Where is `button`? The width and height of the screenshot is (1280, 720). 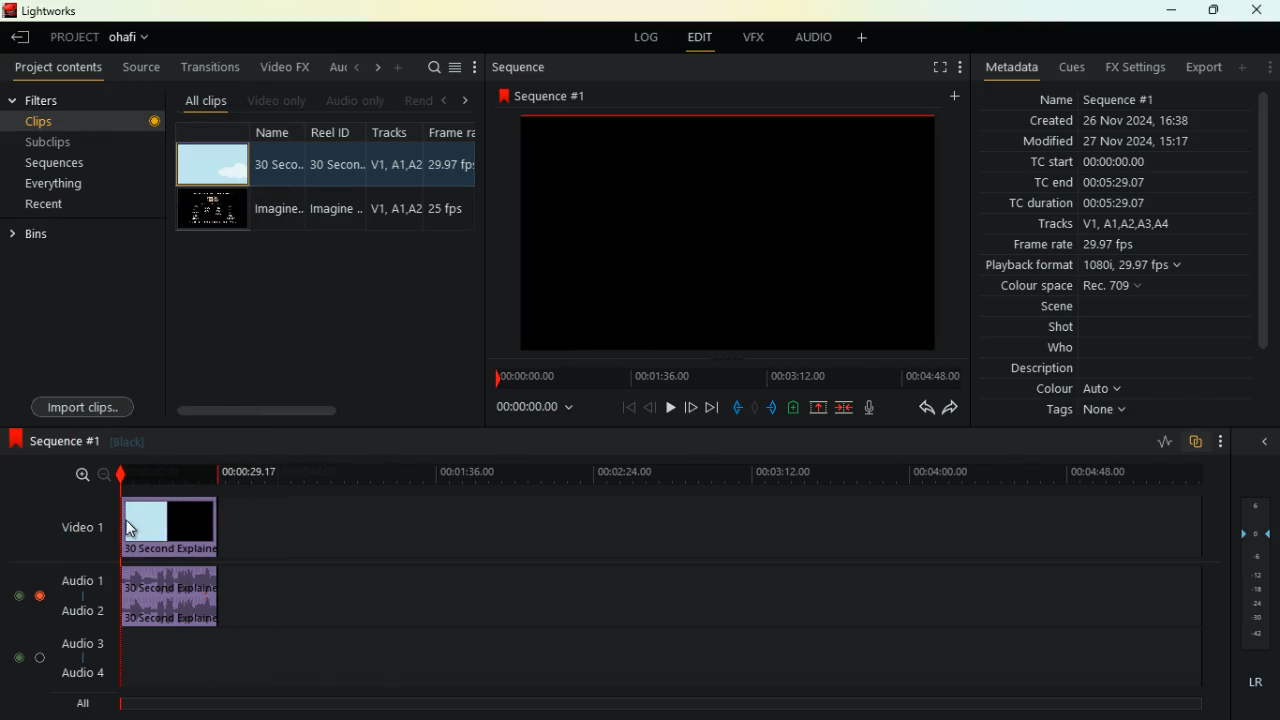
button is located at coordinates (151, 122).